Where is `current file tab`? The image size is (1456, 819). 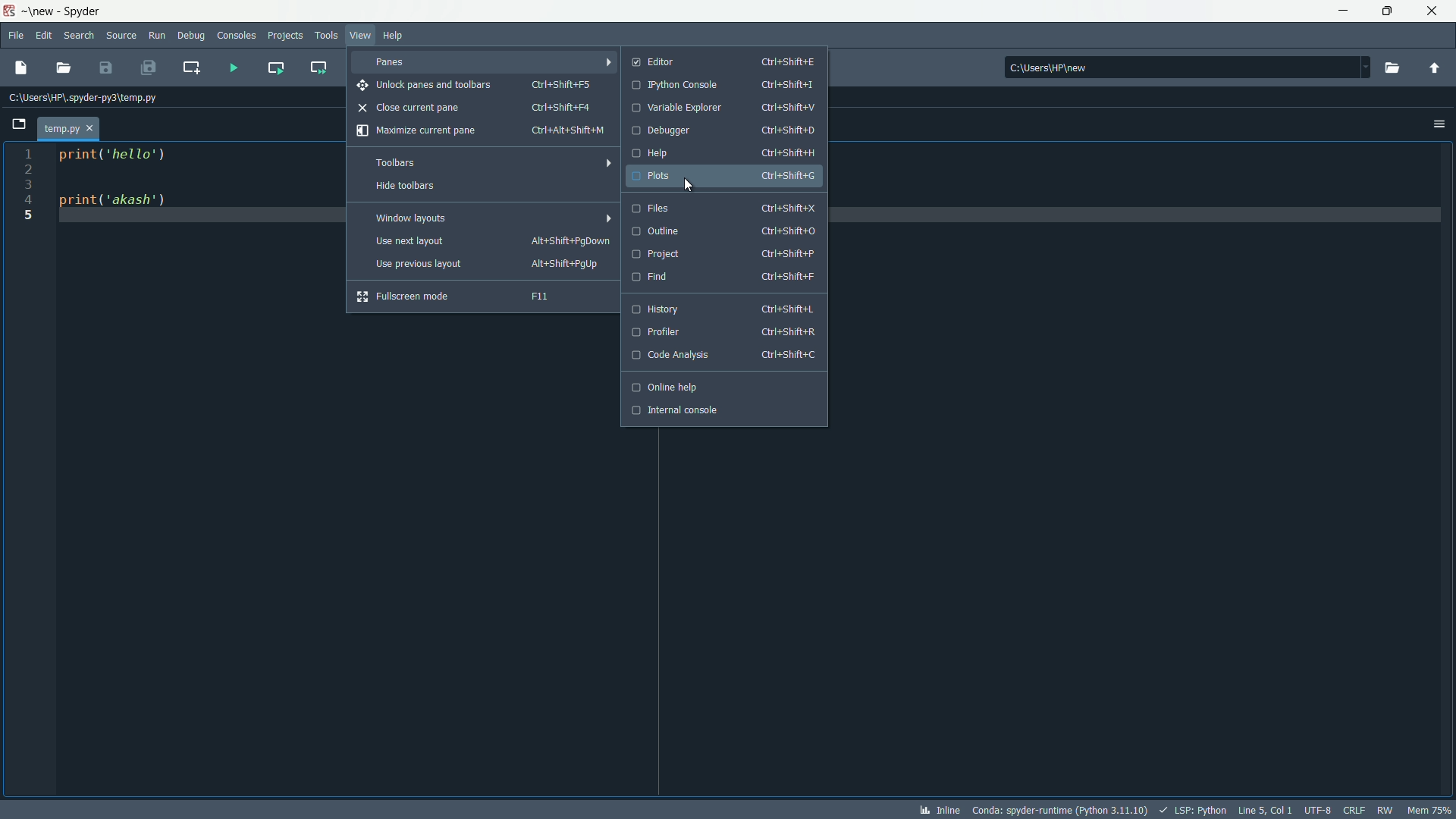 current file tab is located at coordinates (71, 128).